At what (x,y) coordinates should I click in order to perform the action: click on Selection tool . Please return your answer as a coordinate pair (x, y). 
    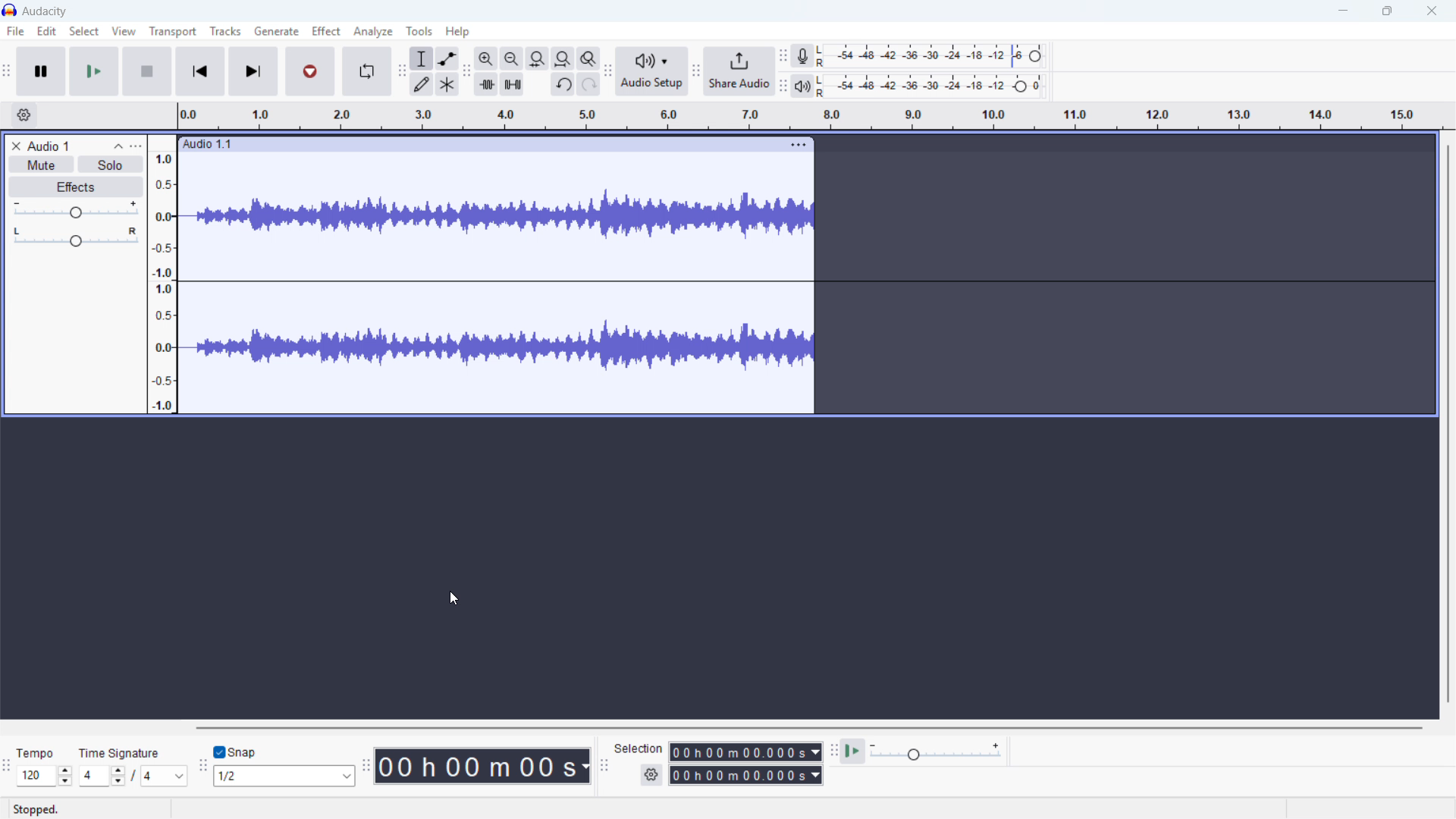
    Looking at the image, I should click on (421, 58).